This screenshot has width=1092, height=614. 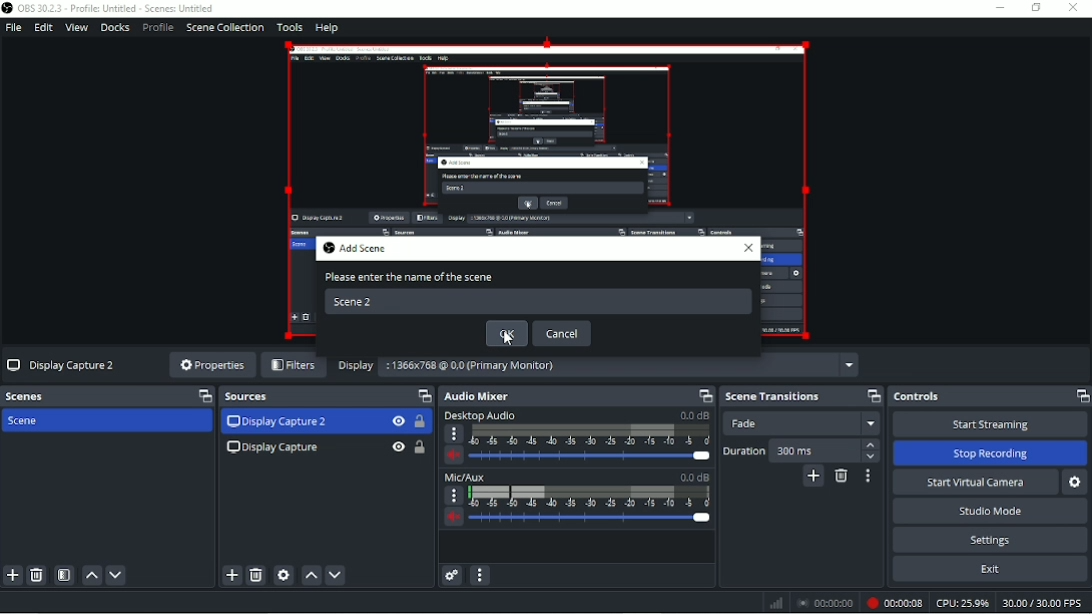 I want to click on Stop Recording, so click(x=990, y=453).